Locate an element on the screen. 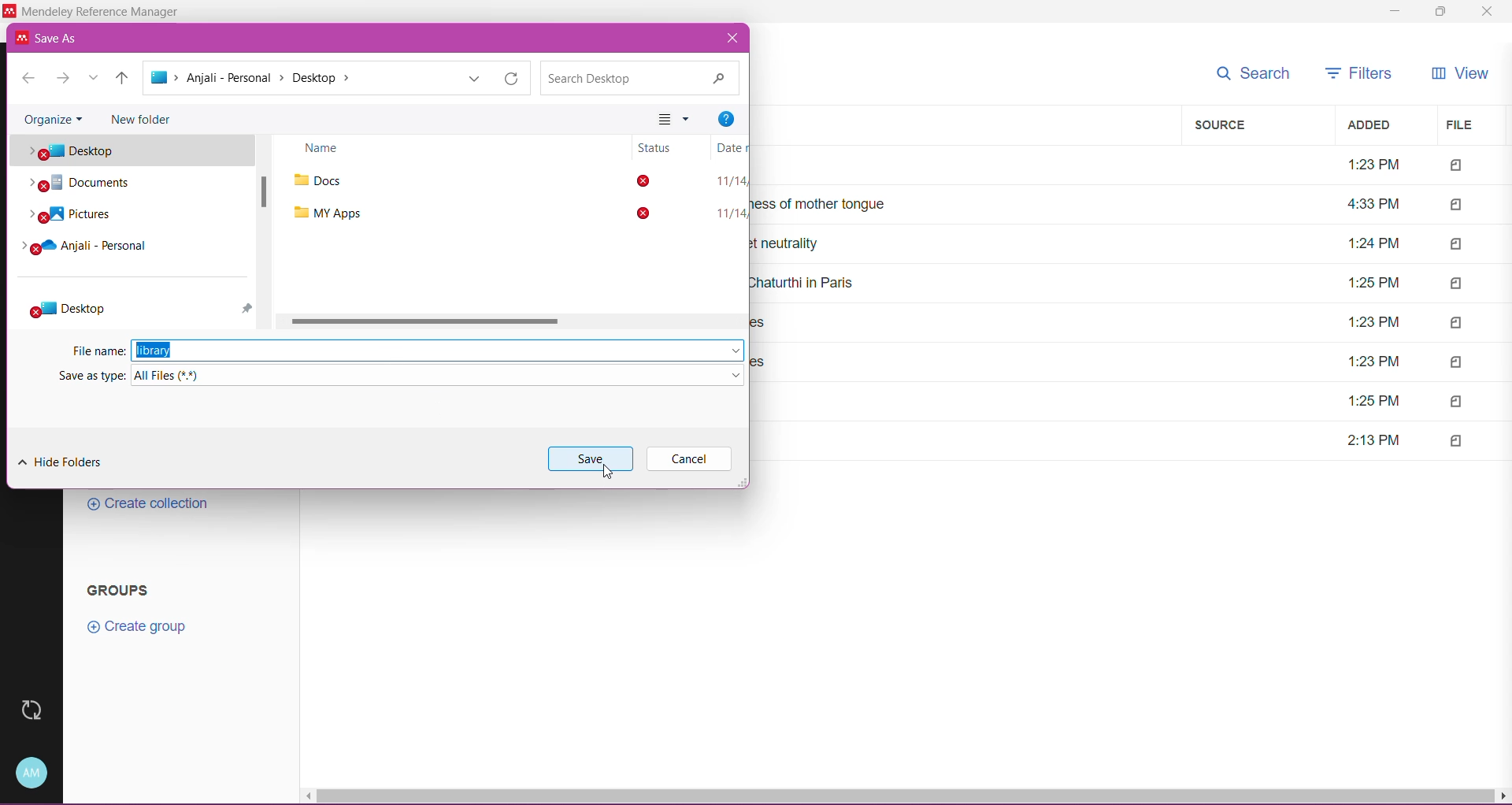 Image resolution: width=1512 pixels, height=805 pixels. 1:23 PM is located at coordinates (1371, 362).